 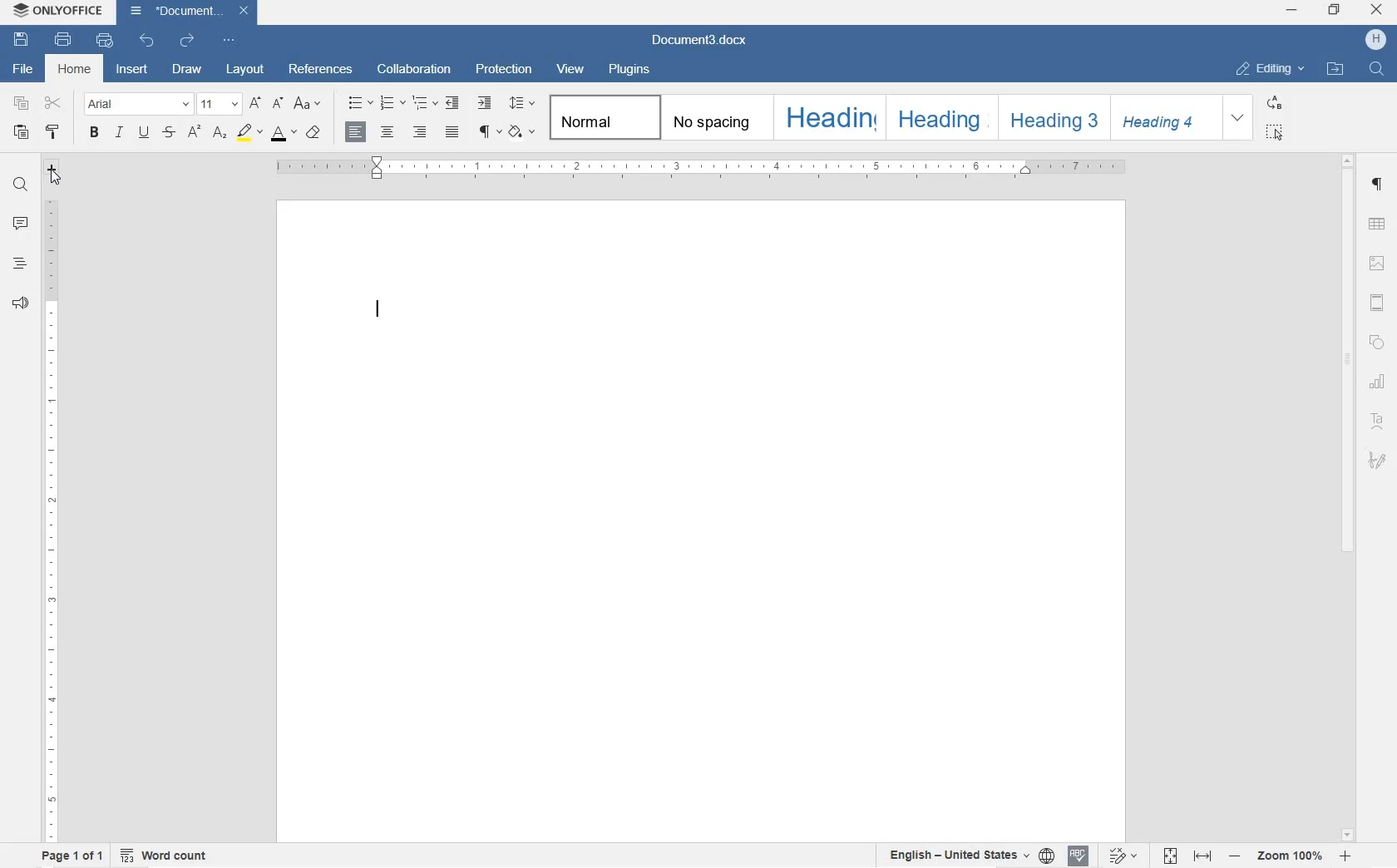 I want to click on FIND, so click(x=1377, y=68).